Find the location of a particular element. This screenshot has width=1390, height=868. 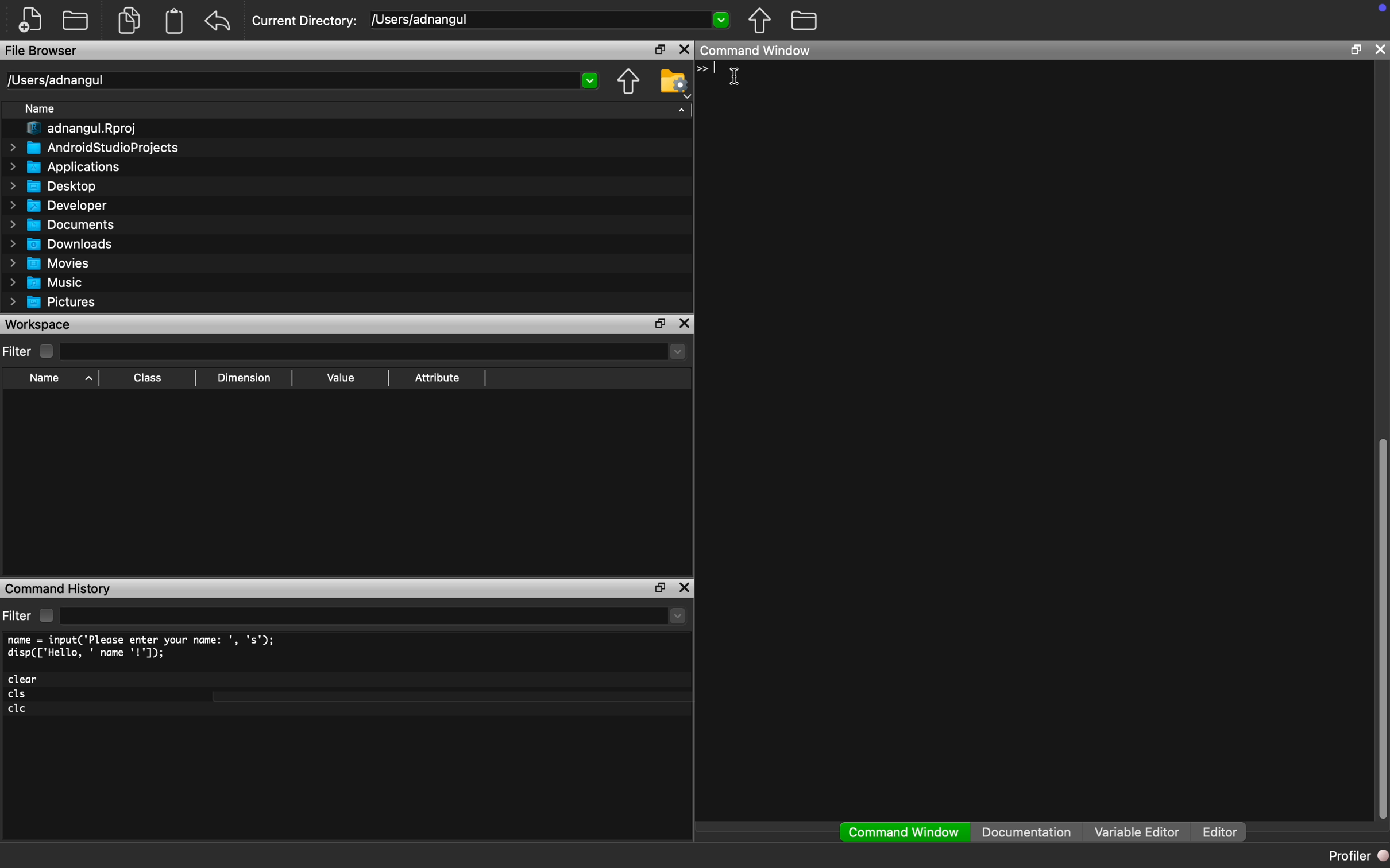

icon is located at coordinates (1382, 7).